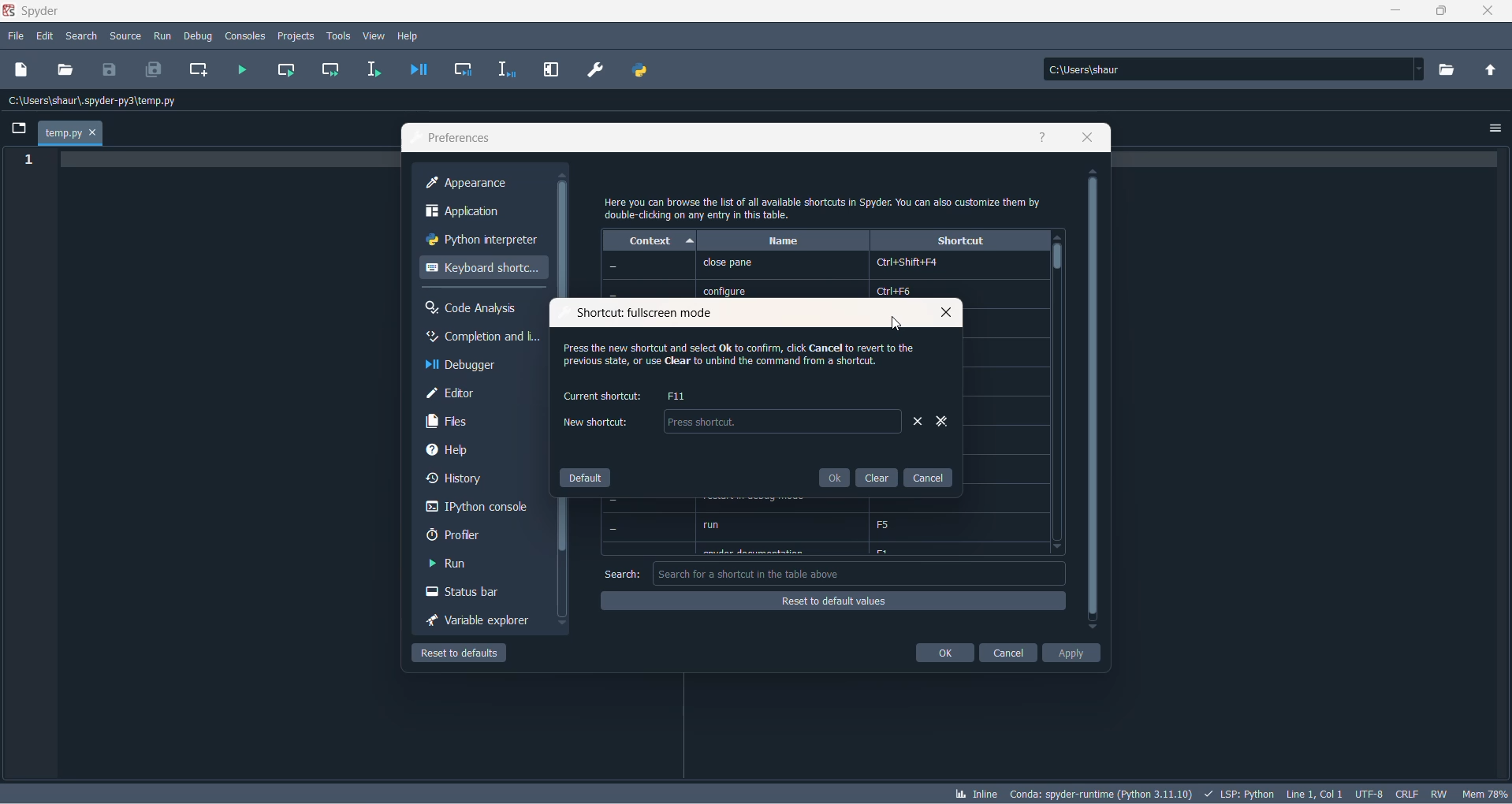 The height and width of the screenshot is (804, 1512). I want to click on edit, so click(46, 36).